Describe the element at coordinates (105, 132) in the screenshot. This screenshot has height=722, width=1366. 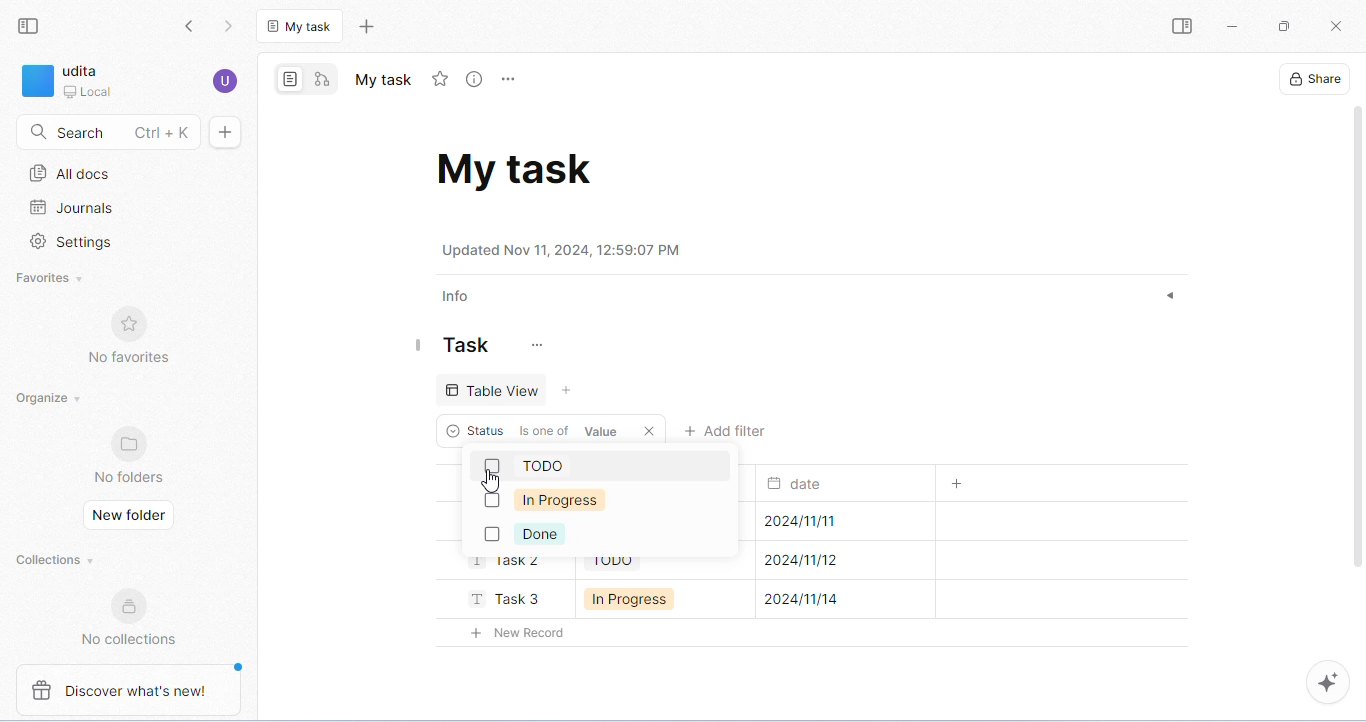
I see `search` at that location.